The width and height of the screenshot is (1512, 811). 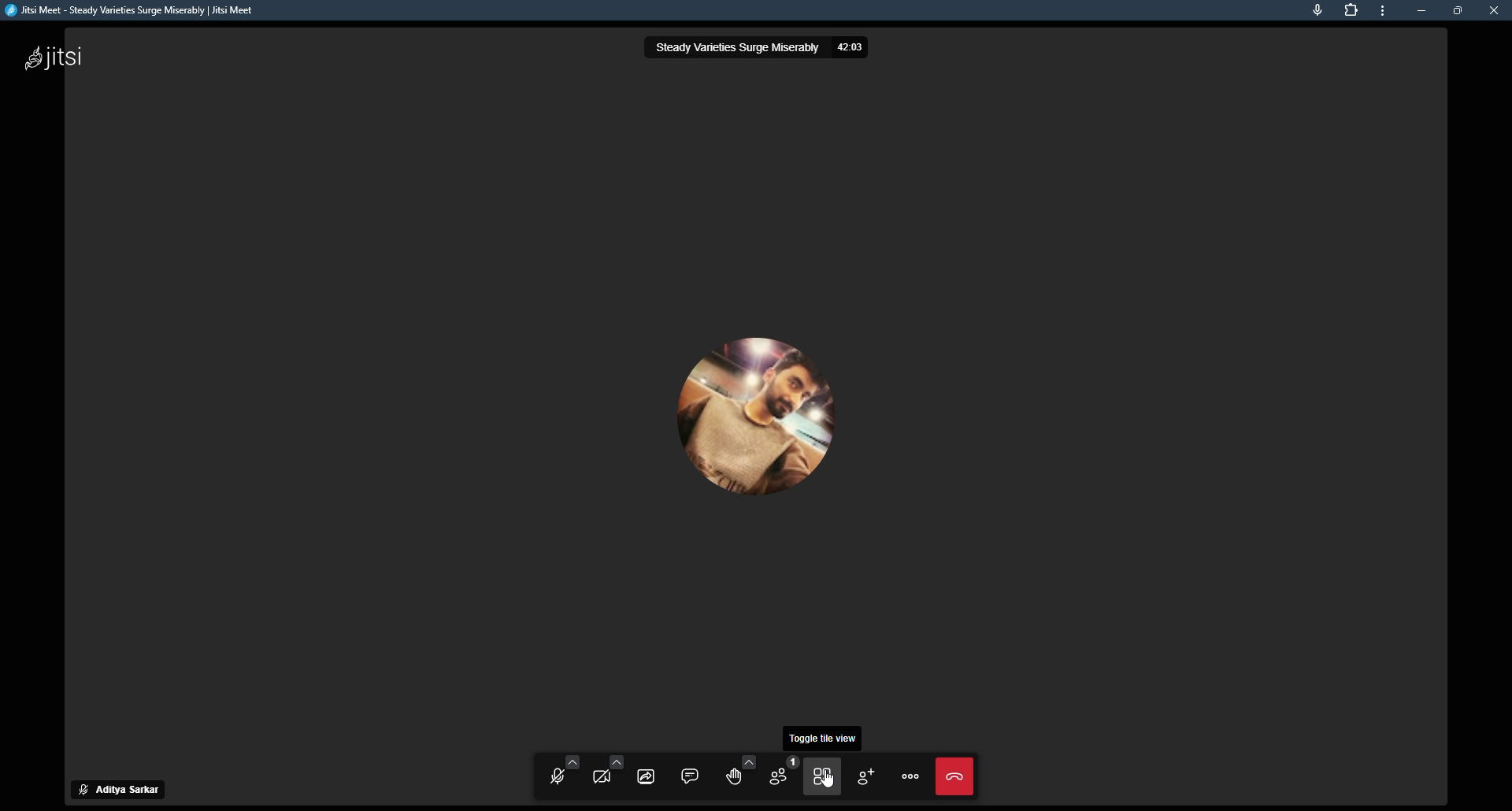 I want to click on cursor, so click(x=828, y=780).